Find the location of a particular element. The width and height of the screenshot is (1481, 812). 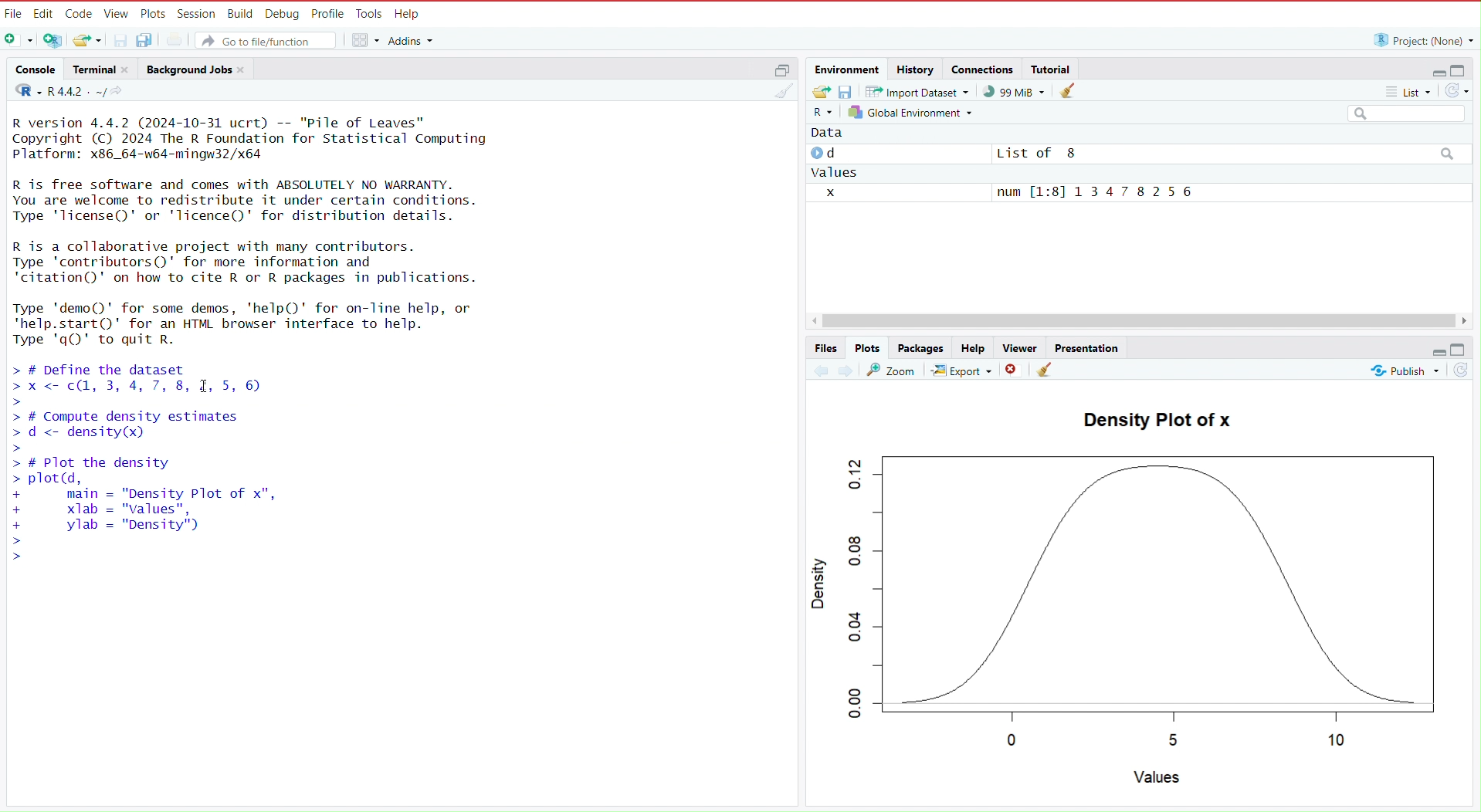

console is located at coordinates (31, 67).